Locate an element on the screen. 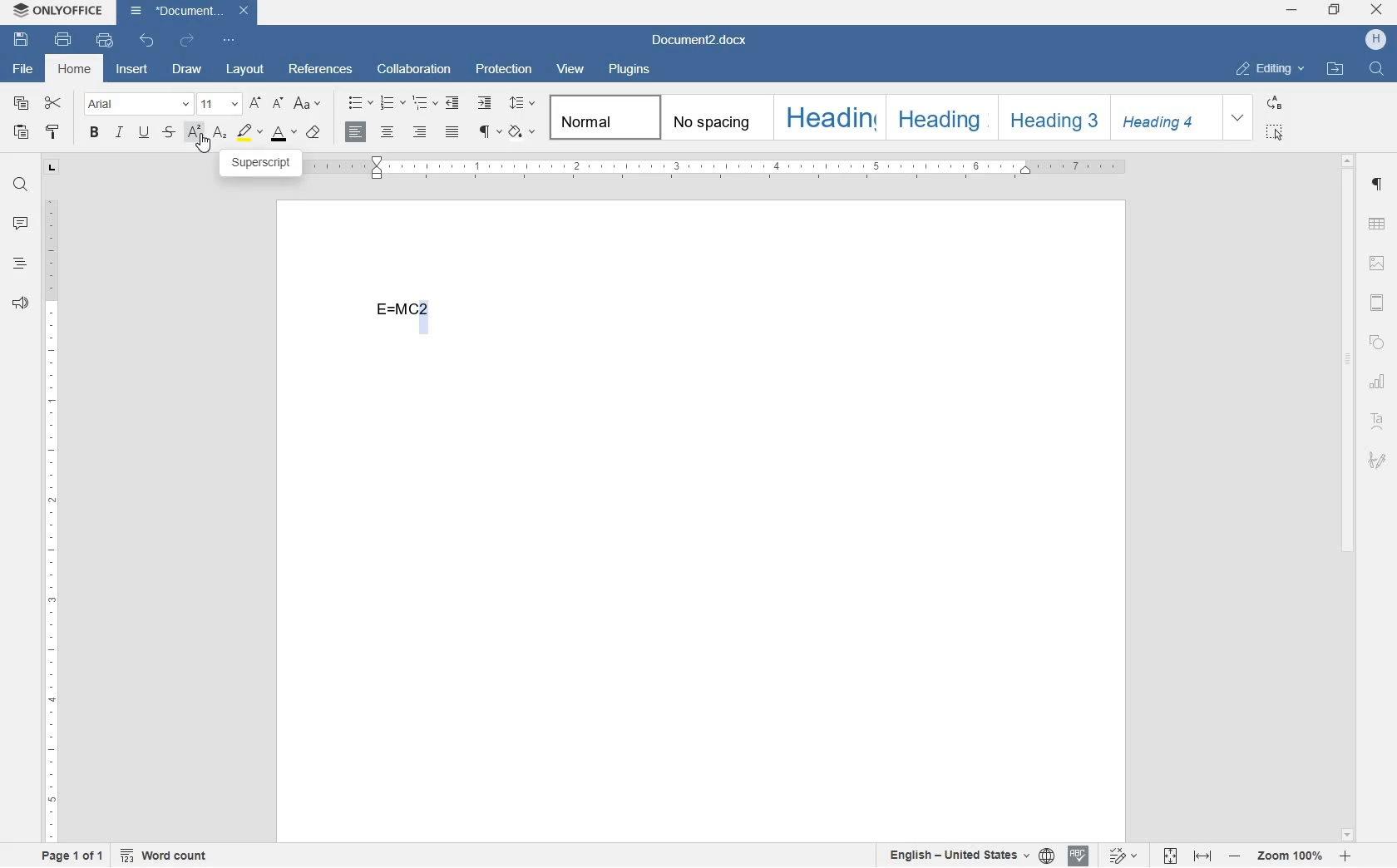 This screenshot has height=868, width=1397. save is located at coordinates (21, 40).